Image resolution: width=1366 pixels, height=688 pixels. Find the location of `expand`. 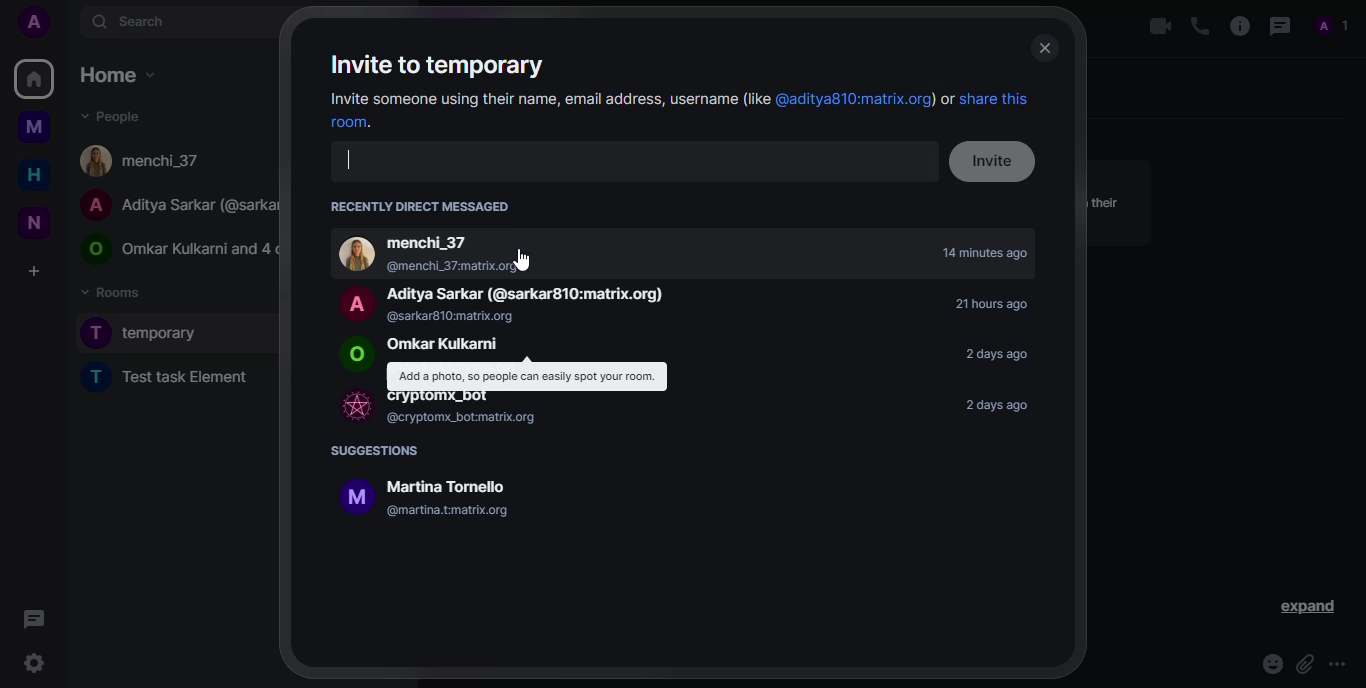

expand is located at coordinates (1305, 607).